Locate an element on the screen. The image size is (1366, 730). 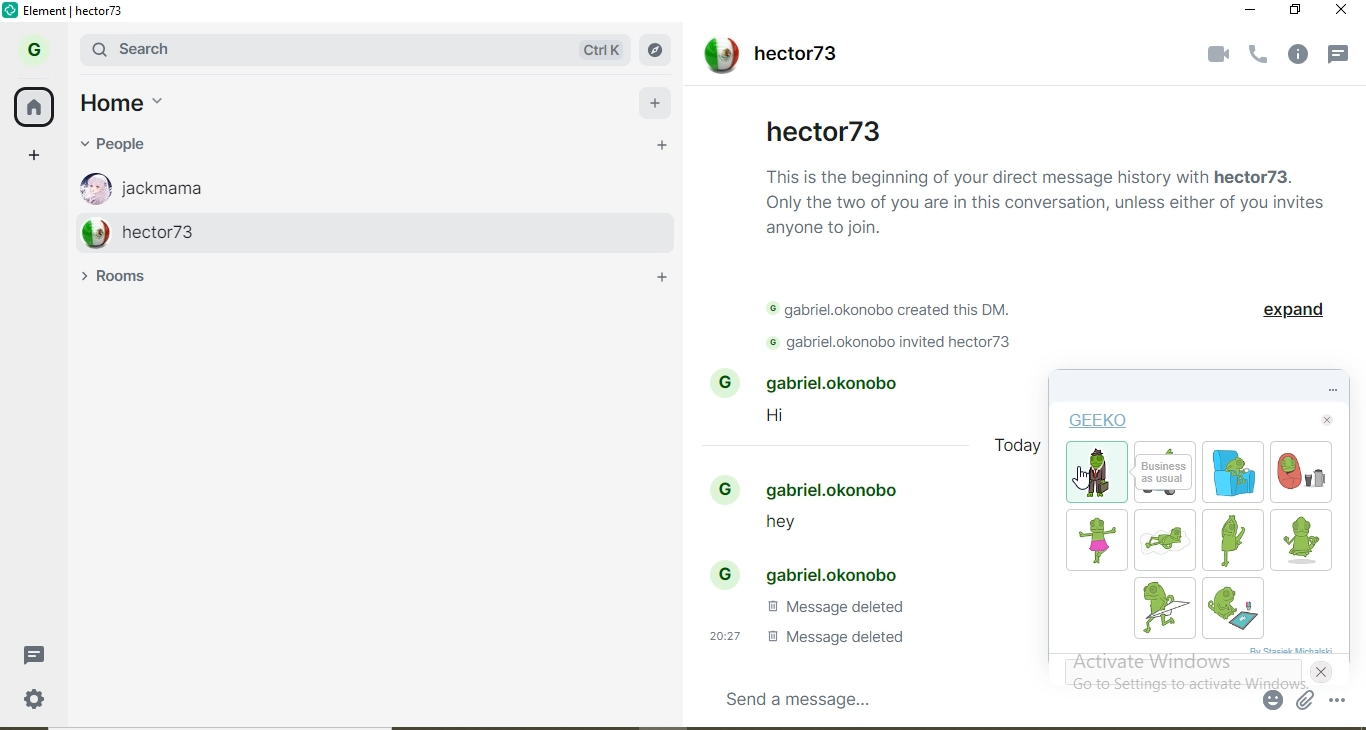
today is located at coordinates (1019, 450).